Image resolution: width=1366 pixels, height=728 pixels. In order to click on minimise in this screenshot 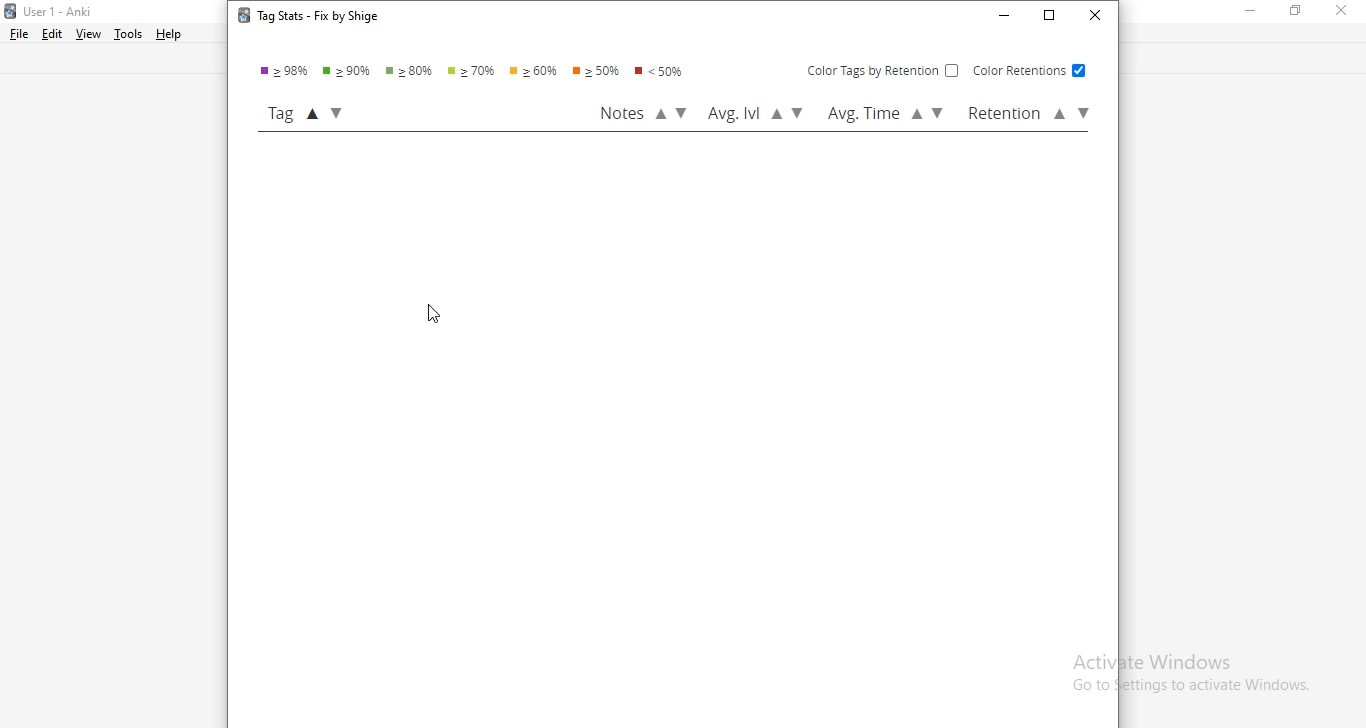, I will do `click(1256, 13)`.